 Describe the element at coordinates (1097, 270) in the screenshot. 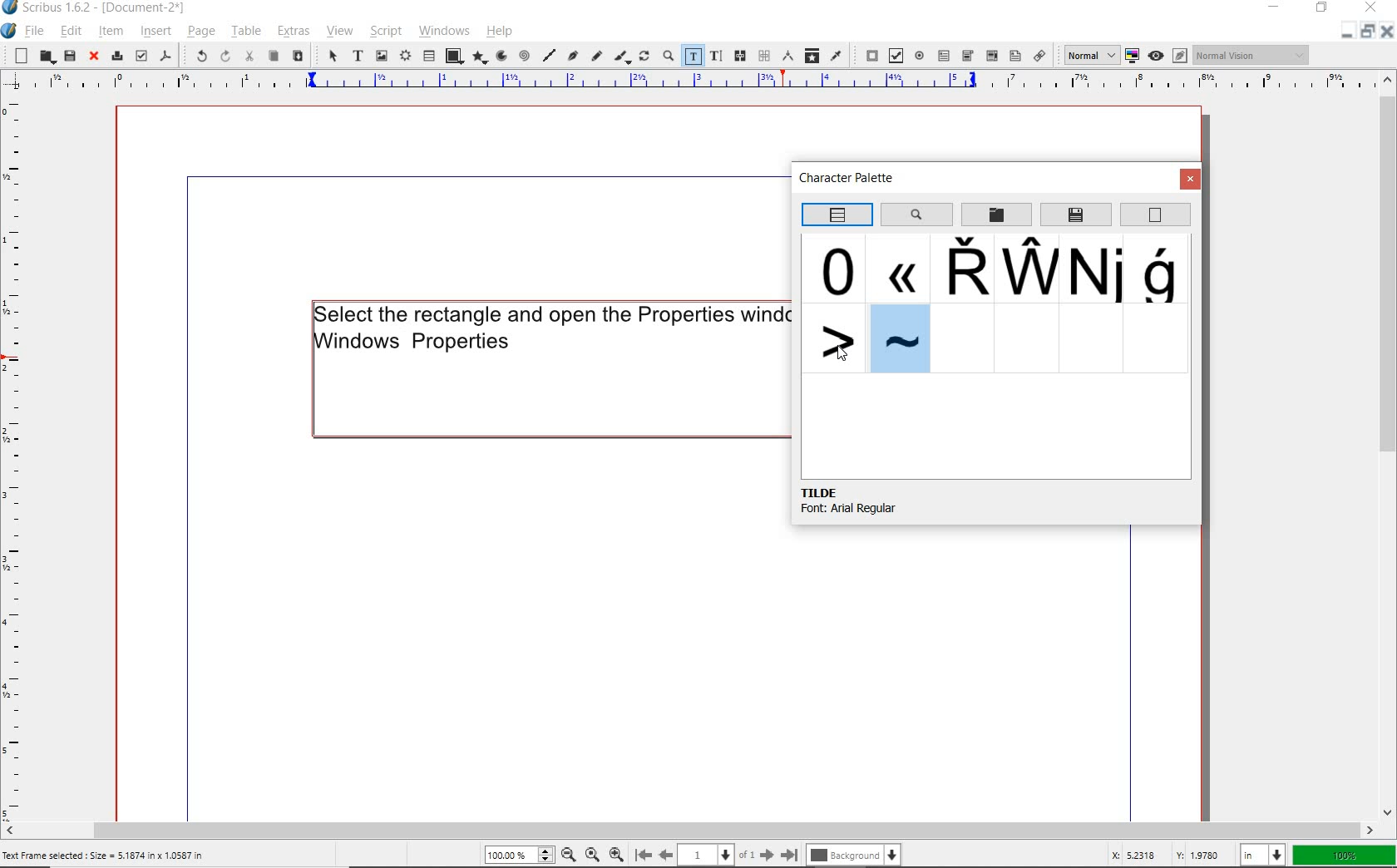

I see `glyphs` at that location.